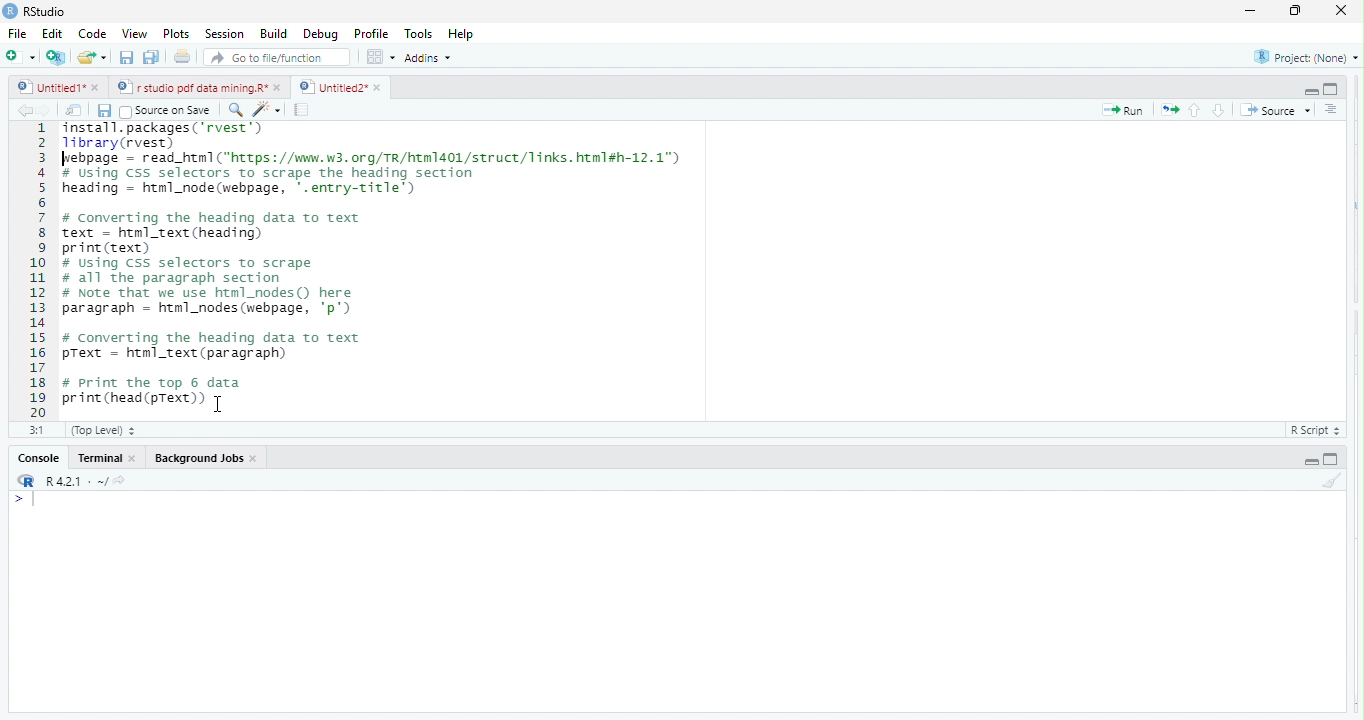  Describe the element at coordinates (104, 112) in the screenshot. I see `save current document` at that location.